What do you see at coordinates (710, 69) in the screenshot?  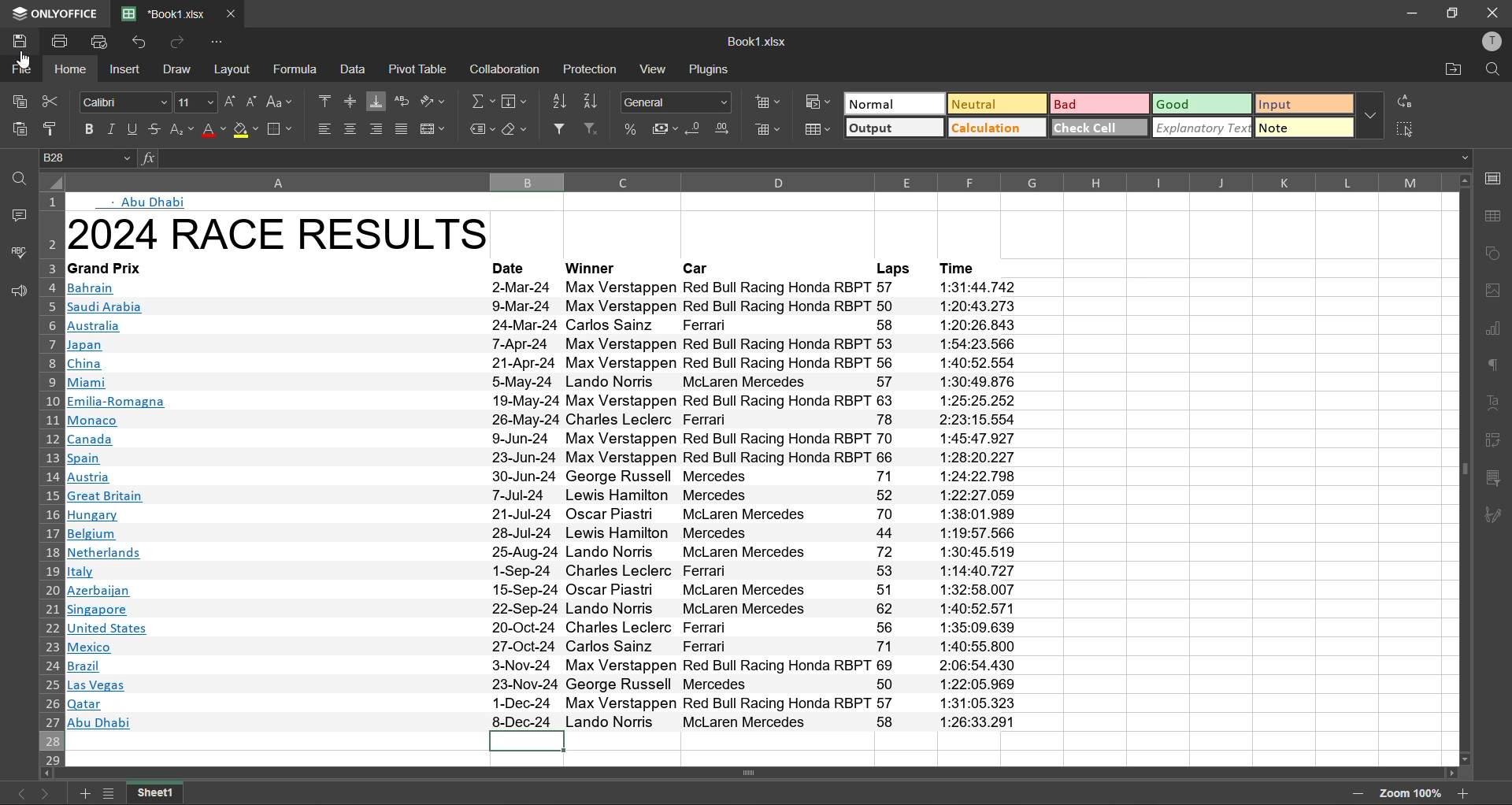 I see `plugins` at bounding box center [710, 69].